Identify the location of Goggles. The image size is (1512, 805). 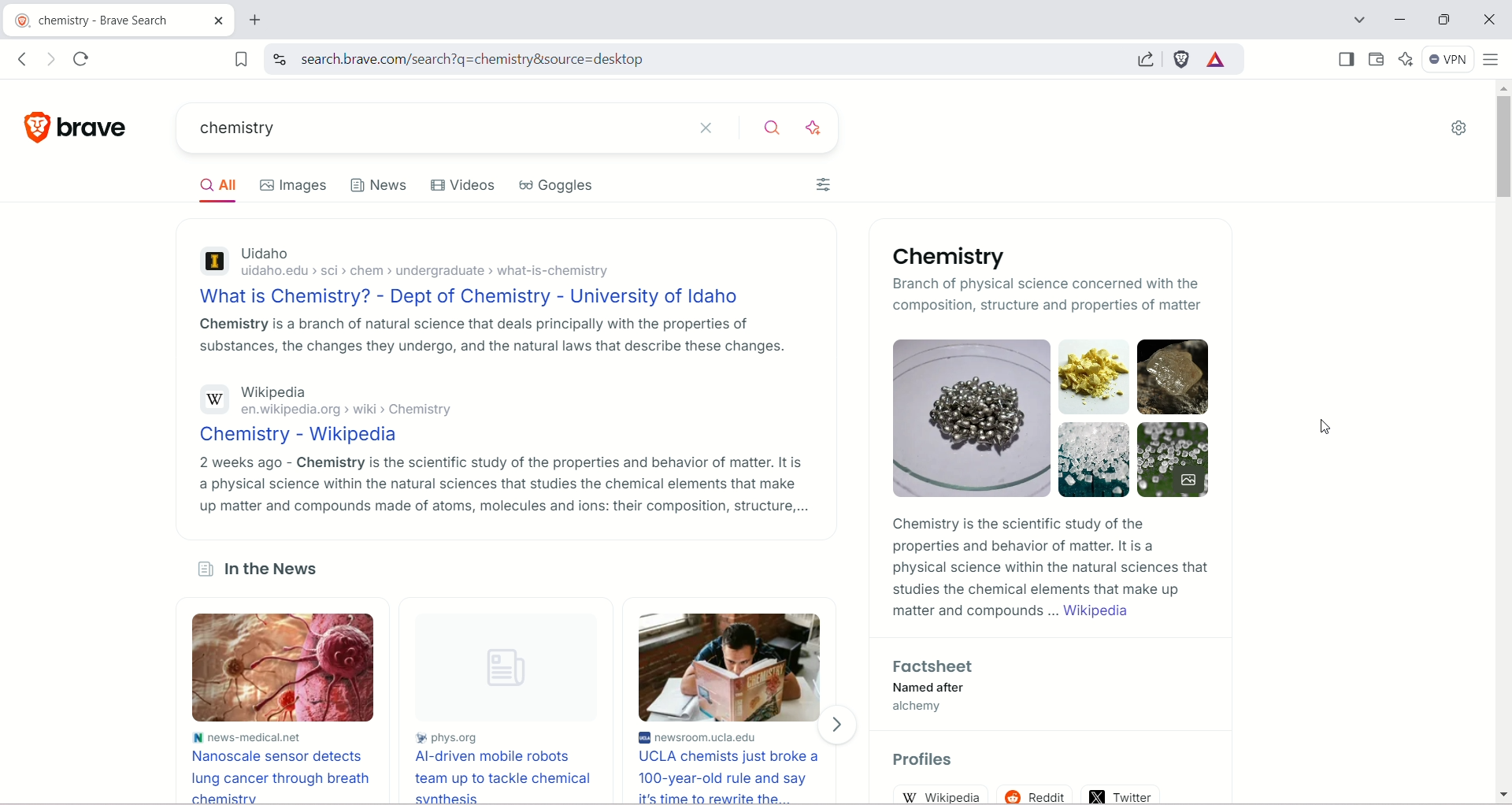
(558, 185).